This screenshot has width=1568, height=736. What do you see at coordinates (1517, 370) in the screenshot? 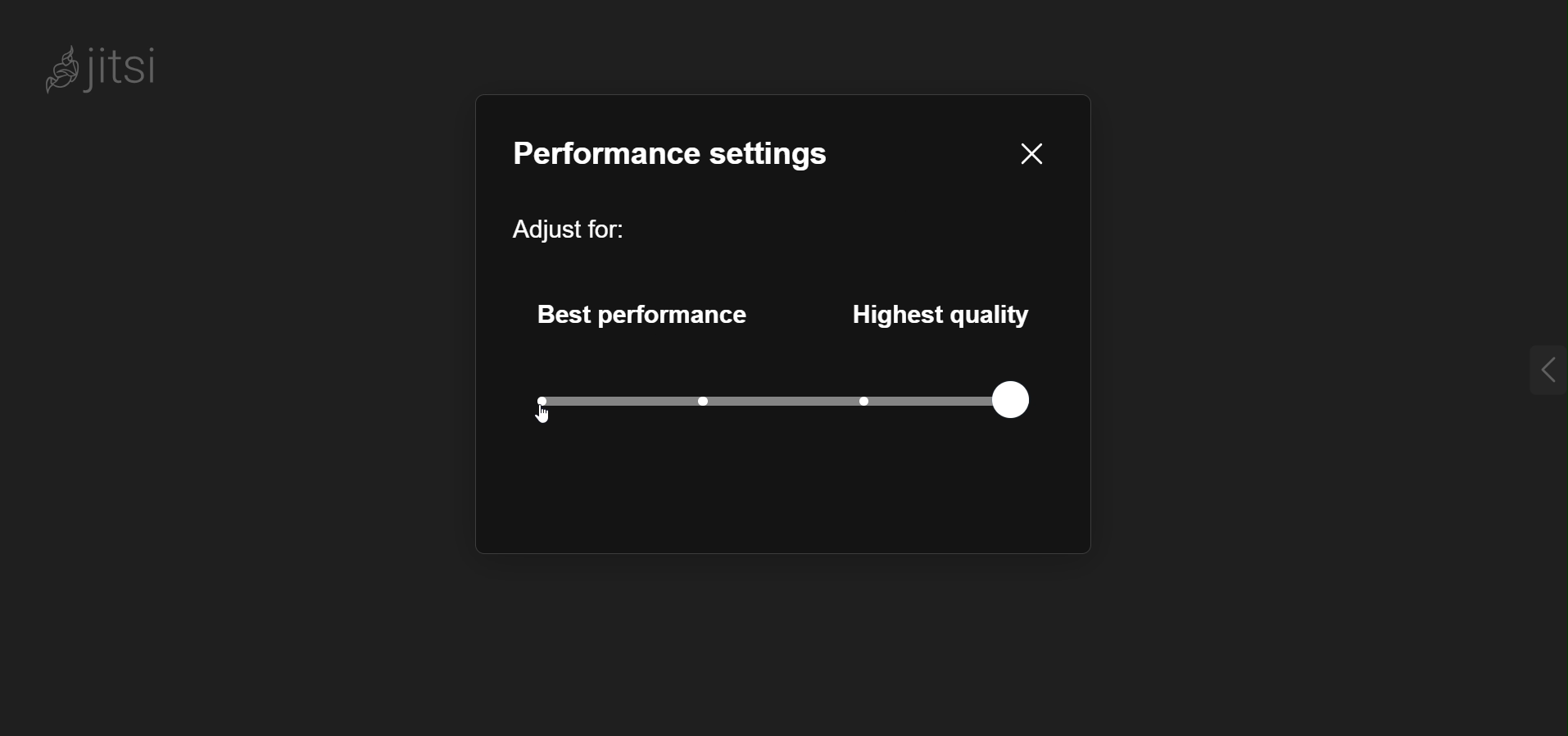
I see `expand` at bounding box center [1517, 370].